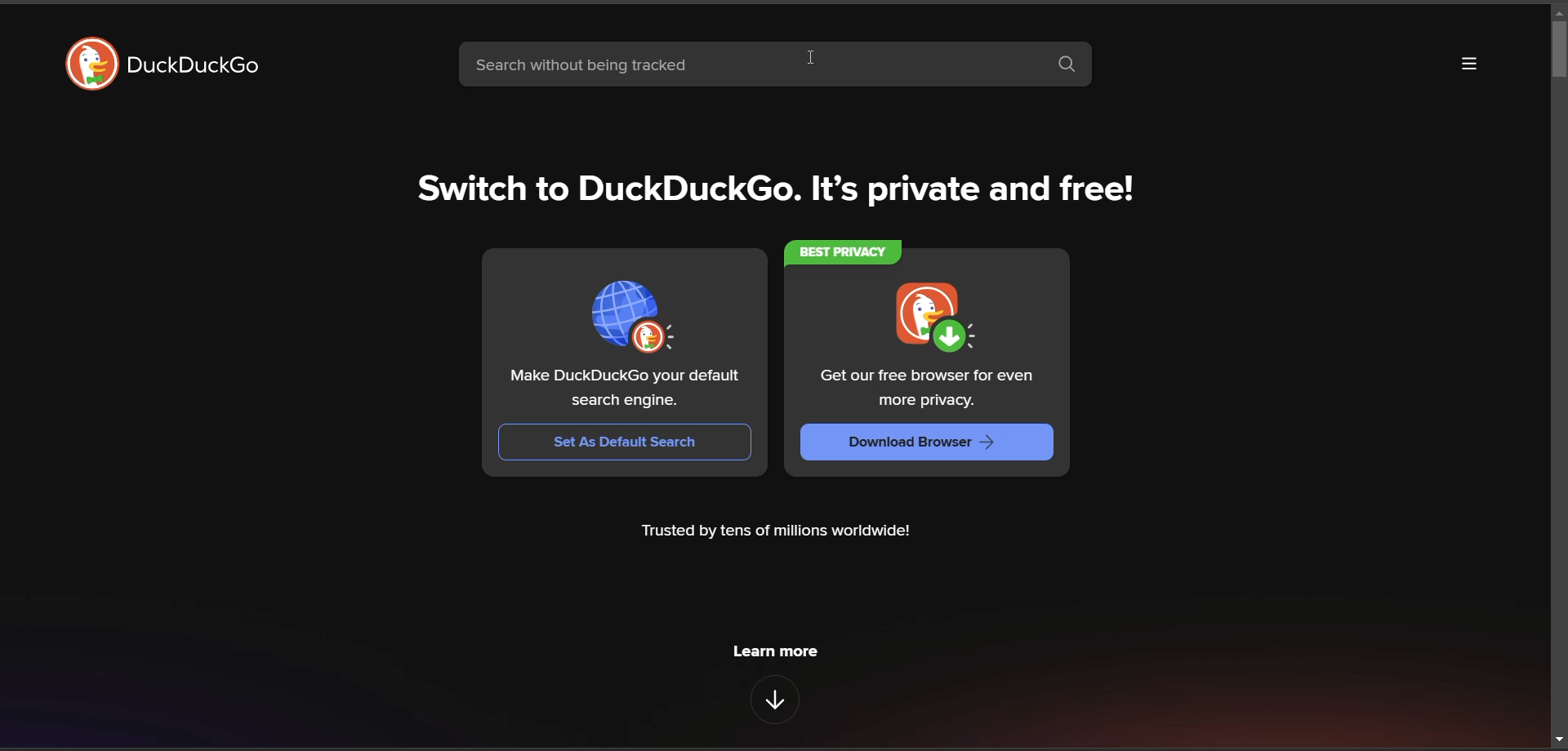  What do you see at coordinates (736, 67) in the screenshot?
I see `search bar` at bounding box center [736, 67].